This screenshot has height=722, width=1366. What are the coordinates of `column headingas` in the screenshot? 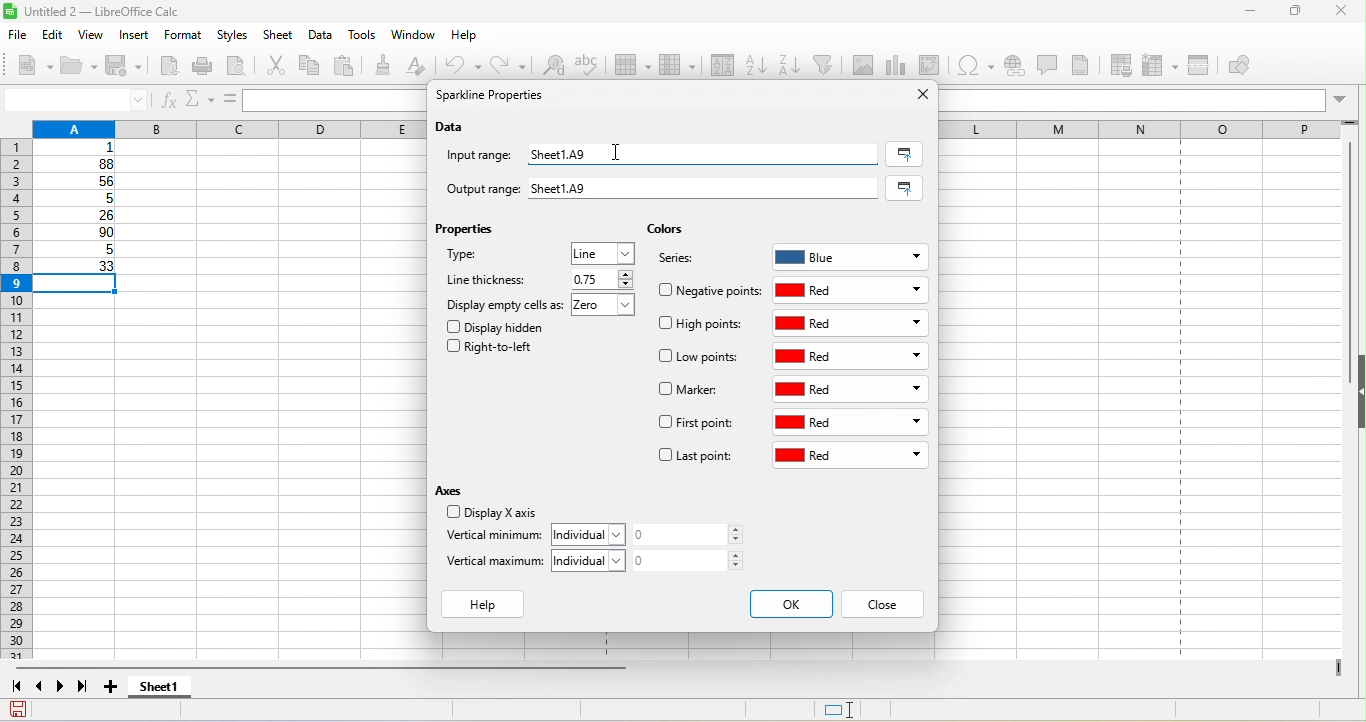 It's located at (1155, 128).